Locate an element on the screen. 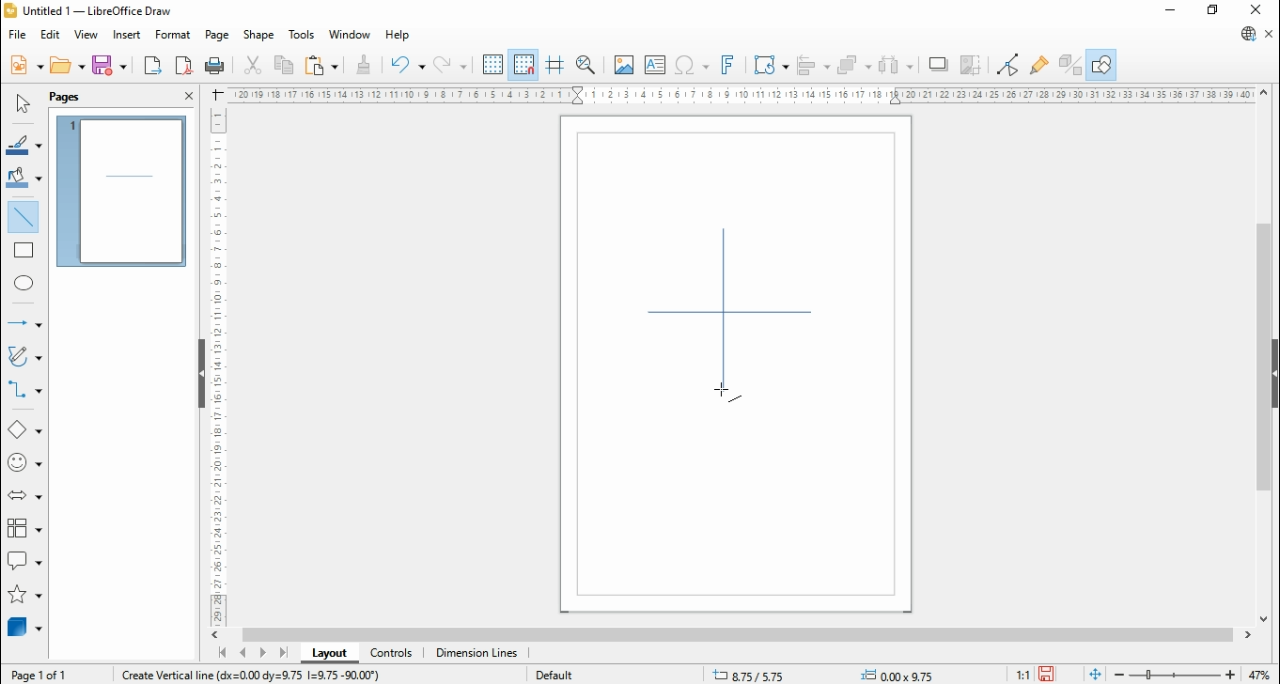 The height and width of the screenshot is (684, 1280). restore is located at coordinates (1214, 11).